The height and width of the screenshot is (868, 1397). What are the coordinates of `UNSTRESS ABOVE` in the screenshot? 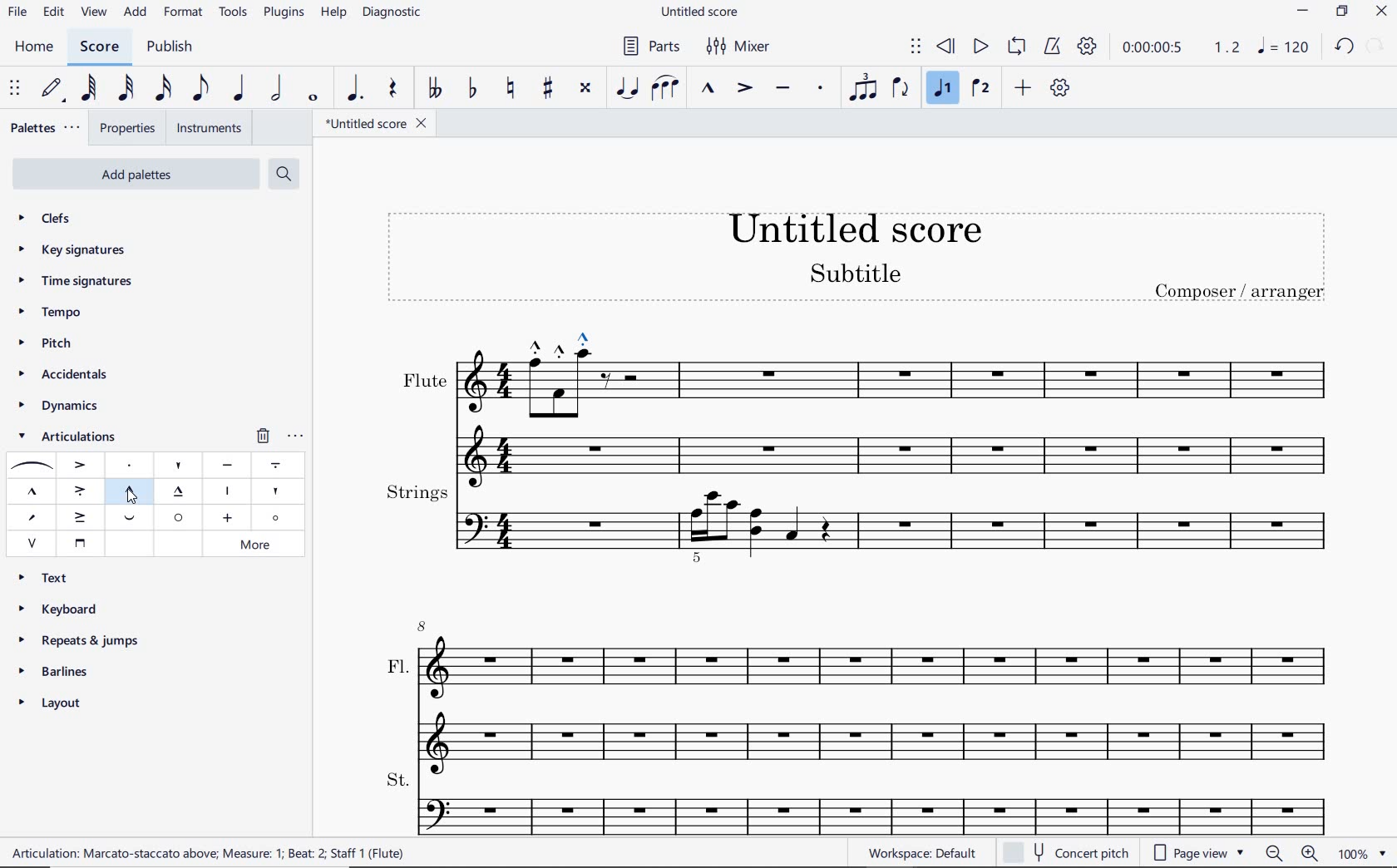 It's located at (132, 520).